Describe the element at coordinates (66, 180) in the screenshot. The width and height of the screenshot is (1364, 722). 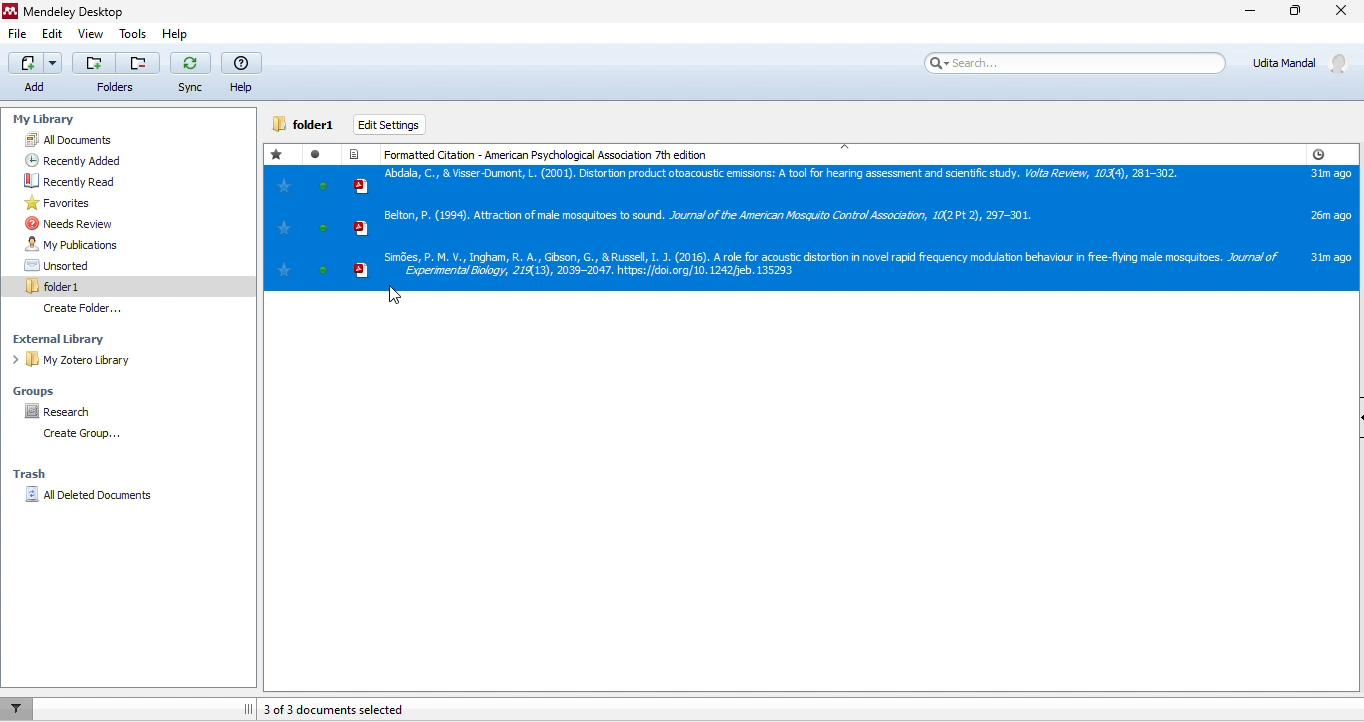
I see `recently read` at that location.